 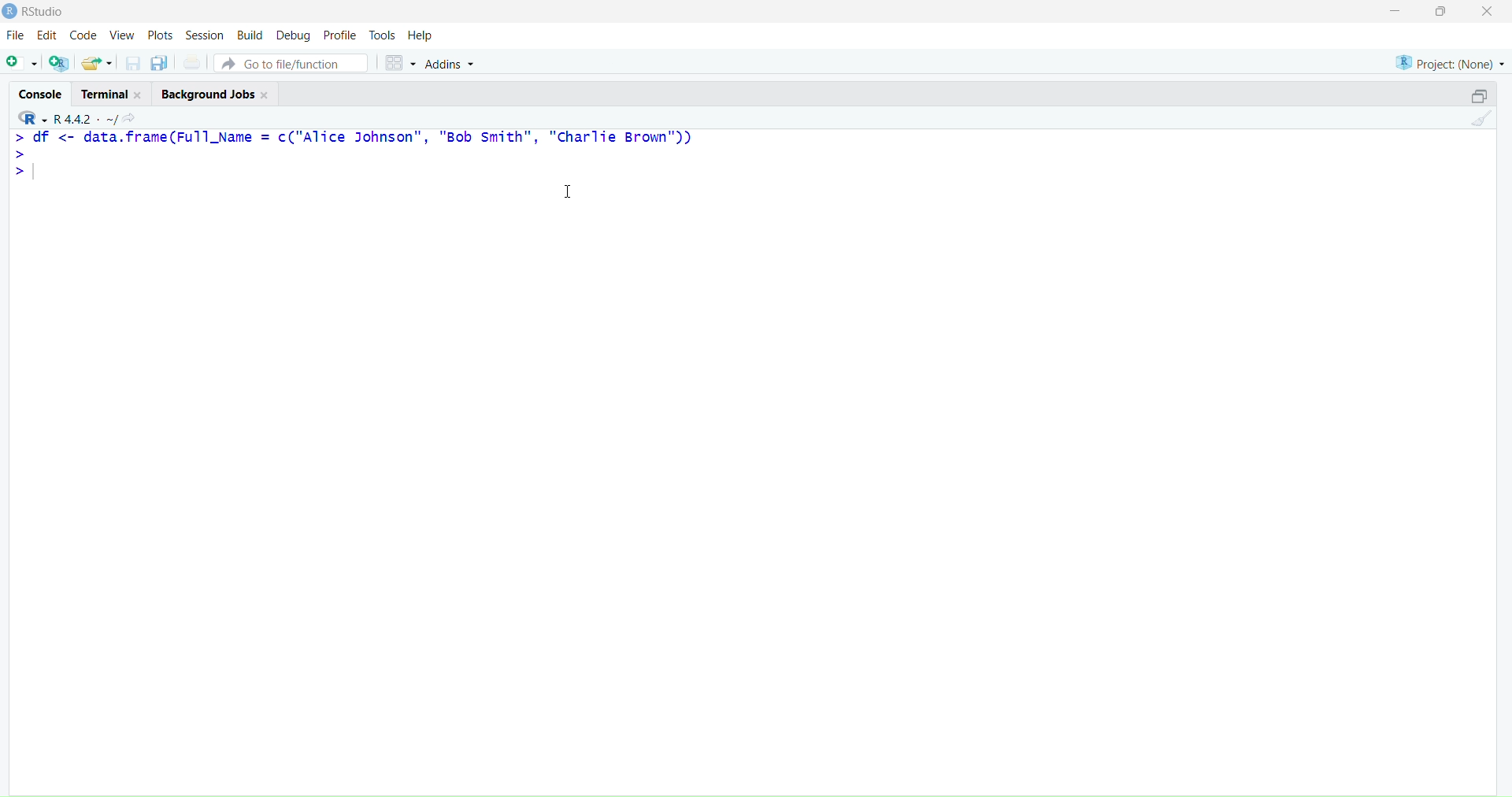 I want to click on Save current document (Ctrl + S), so click(x=132, y=64).